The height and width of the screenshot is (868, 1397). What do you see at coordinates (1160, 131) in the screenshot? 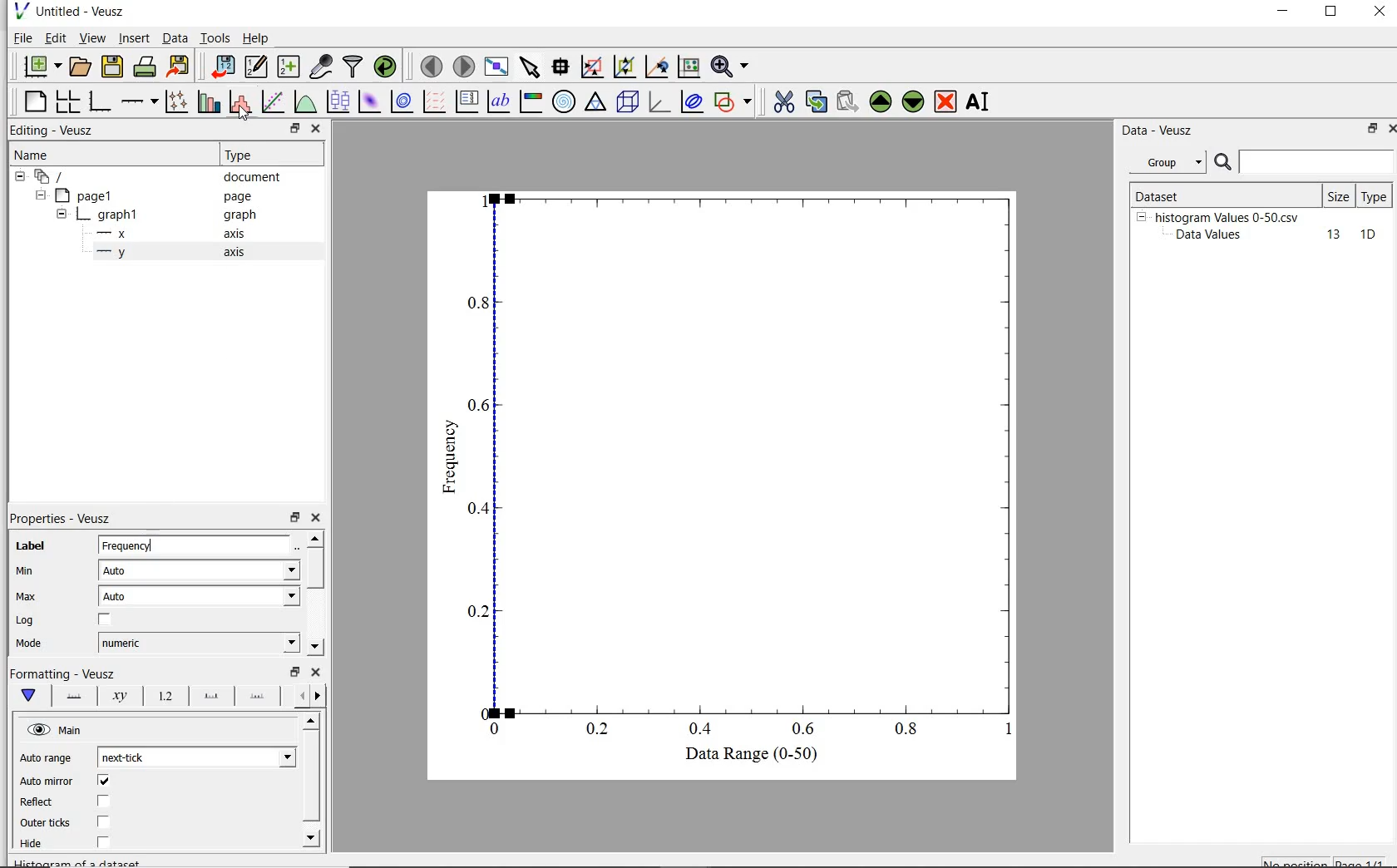
I see `Data - Veusz` at bounding box center [1160, 131].